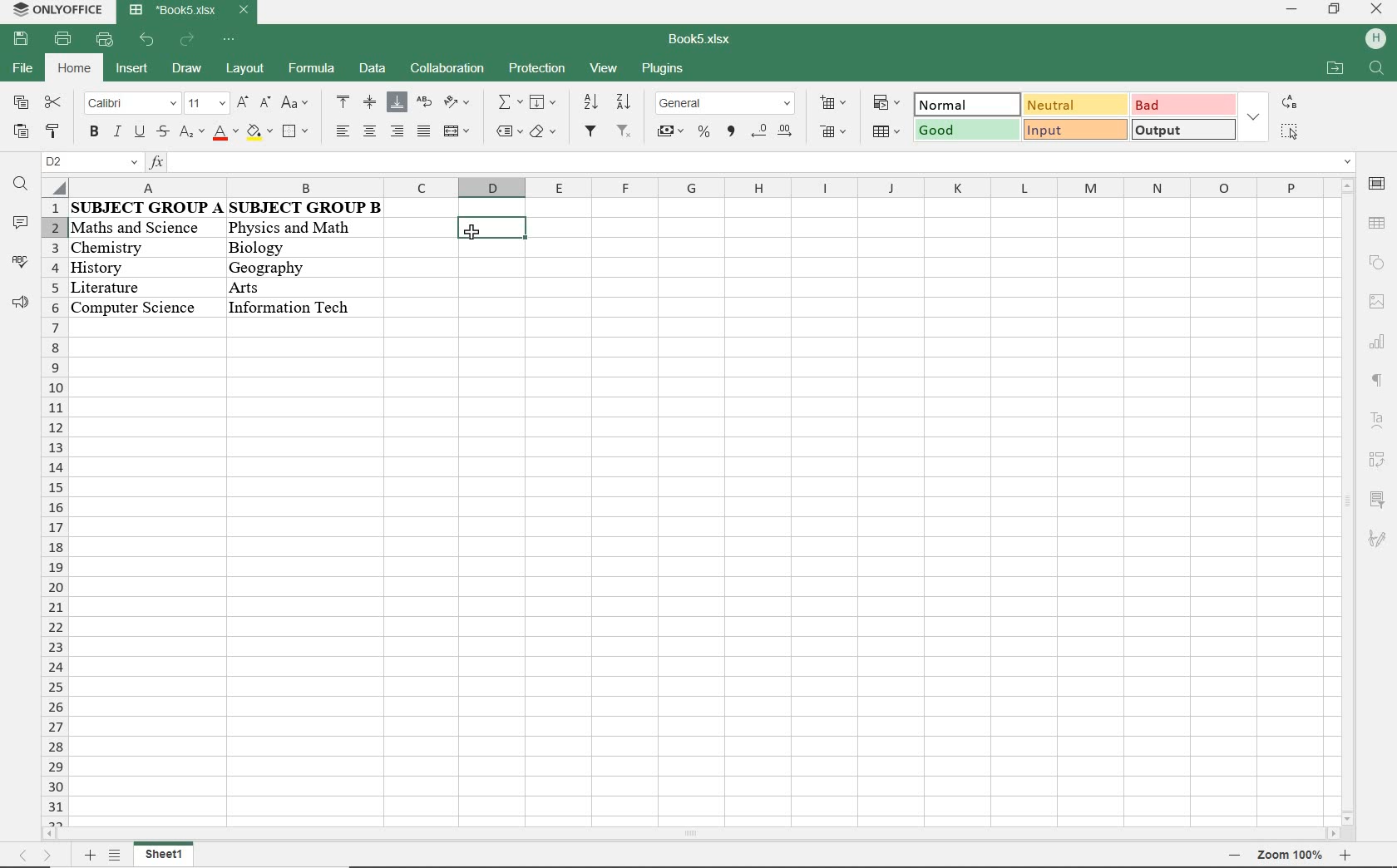 Image resolution: width=1397 pixels, height=868 pixels. What do you see at coordinates (116, 133) in the screenshot?
I see `italic` at bounding box center [116, 133].